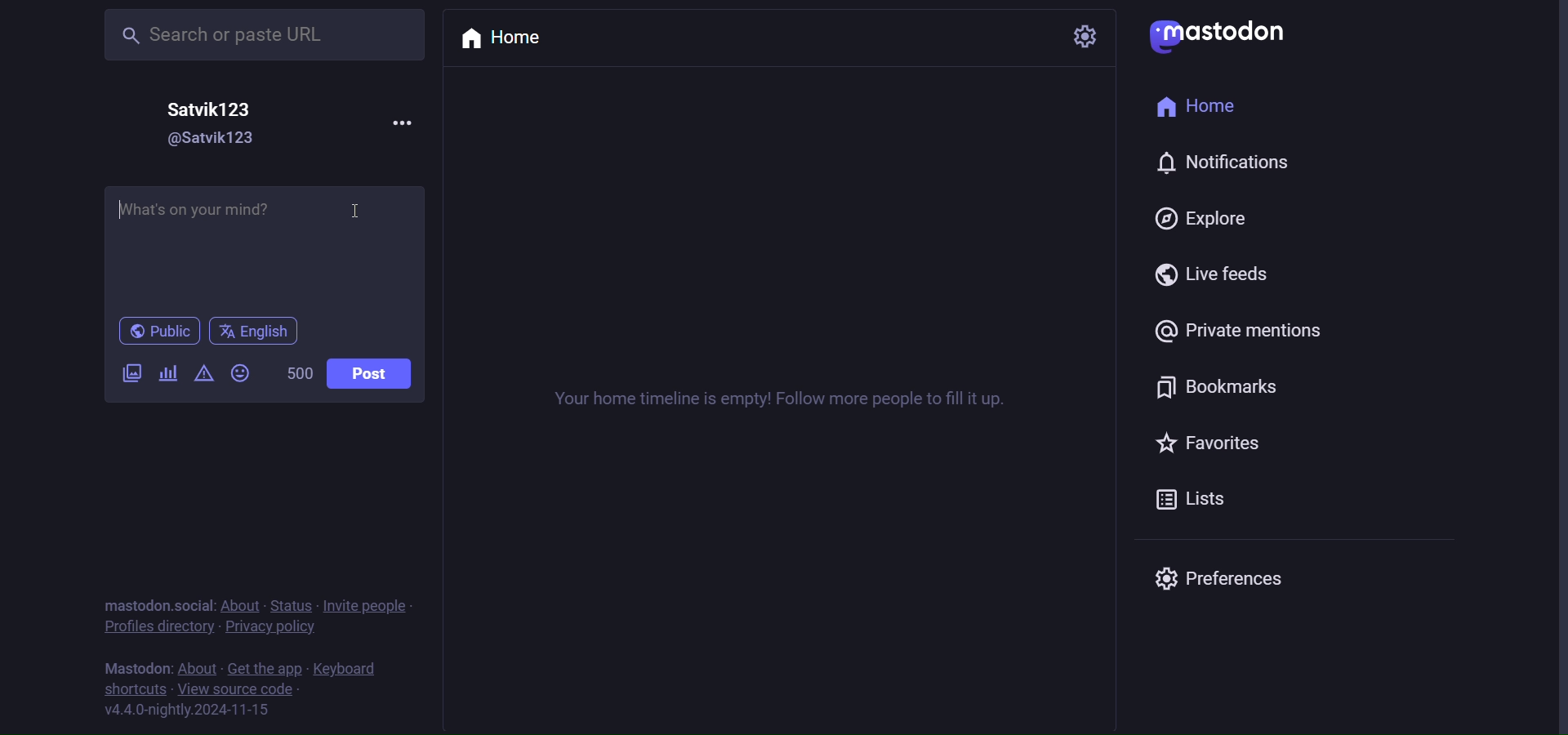  Describe the element at coordinates (1205, 503) in the screenshot. I see `lists` at that location.